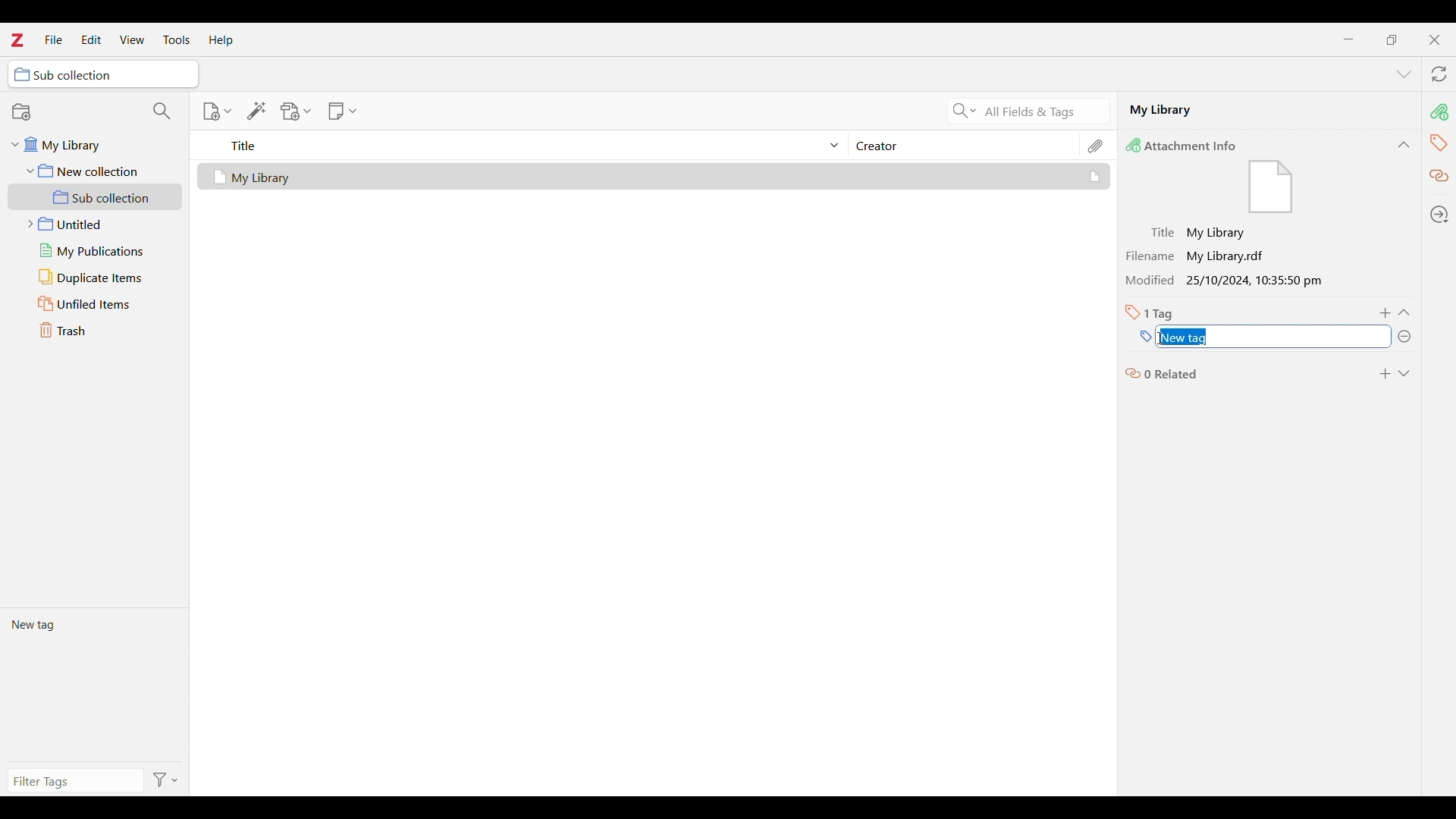 Image resolution: width=1456 pixels, height=819 pixels. Describe the element at coordinates (93, 143) in the screenshot. I see `My library folder` at that location.